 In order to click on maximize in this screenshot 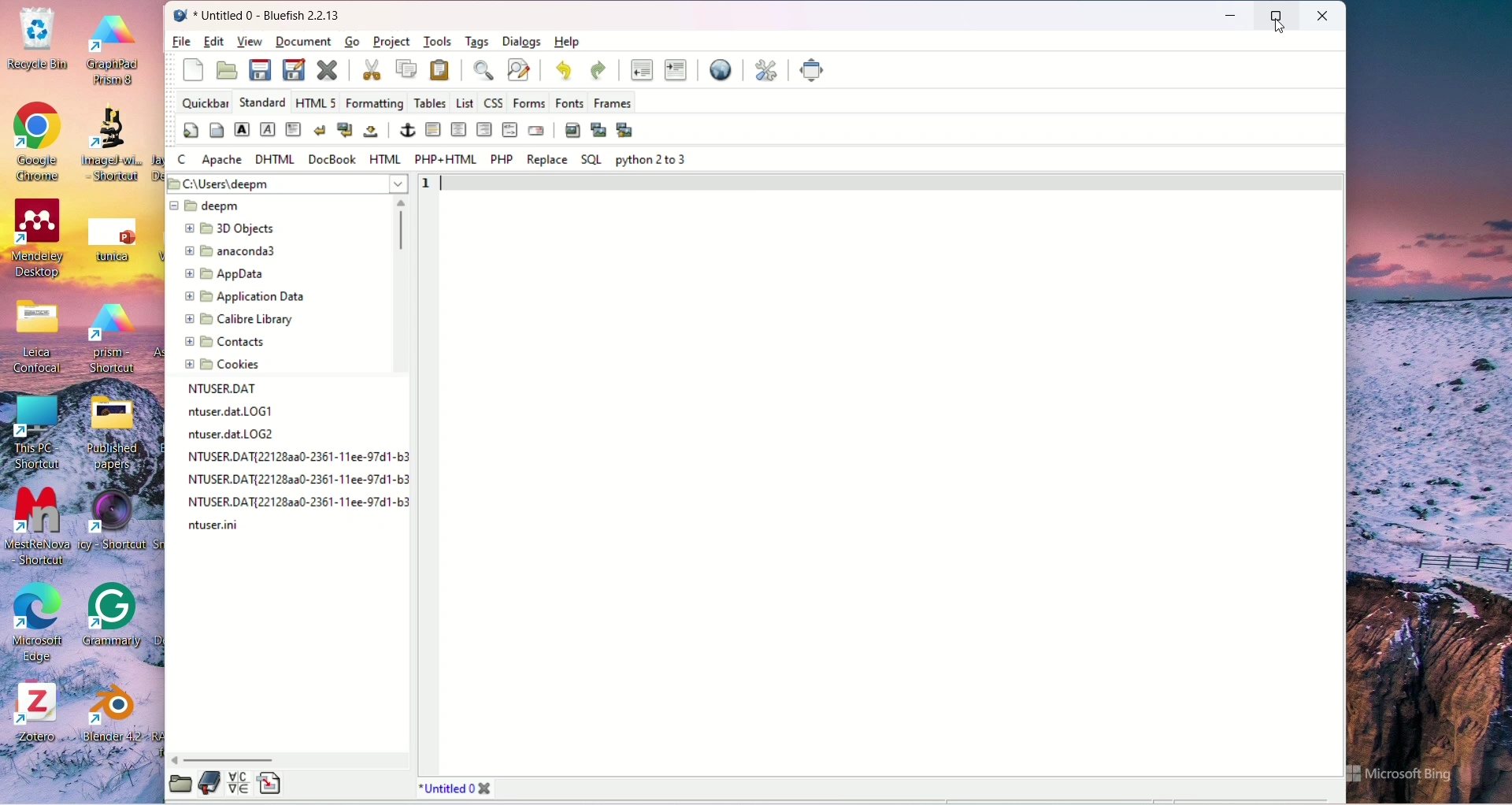, I will do `click(1278, 13)`.